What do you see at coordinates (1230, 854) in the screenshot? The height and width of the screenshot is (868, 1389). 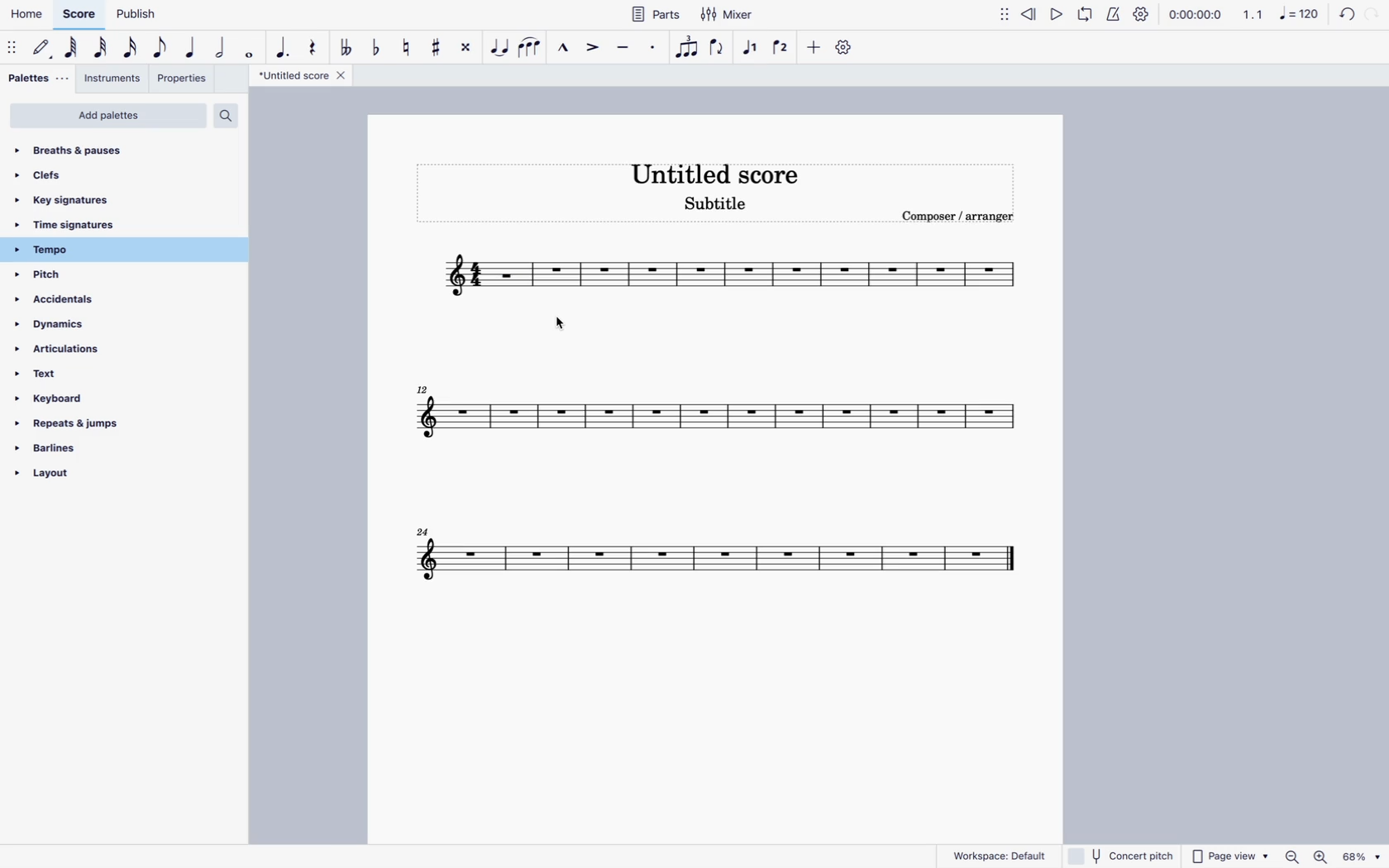 I see `page view` at bounding box center [1230, 854].